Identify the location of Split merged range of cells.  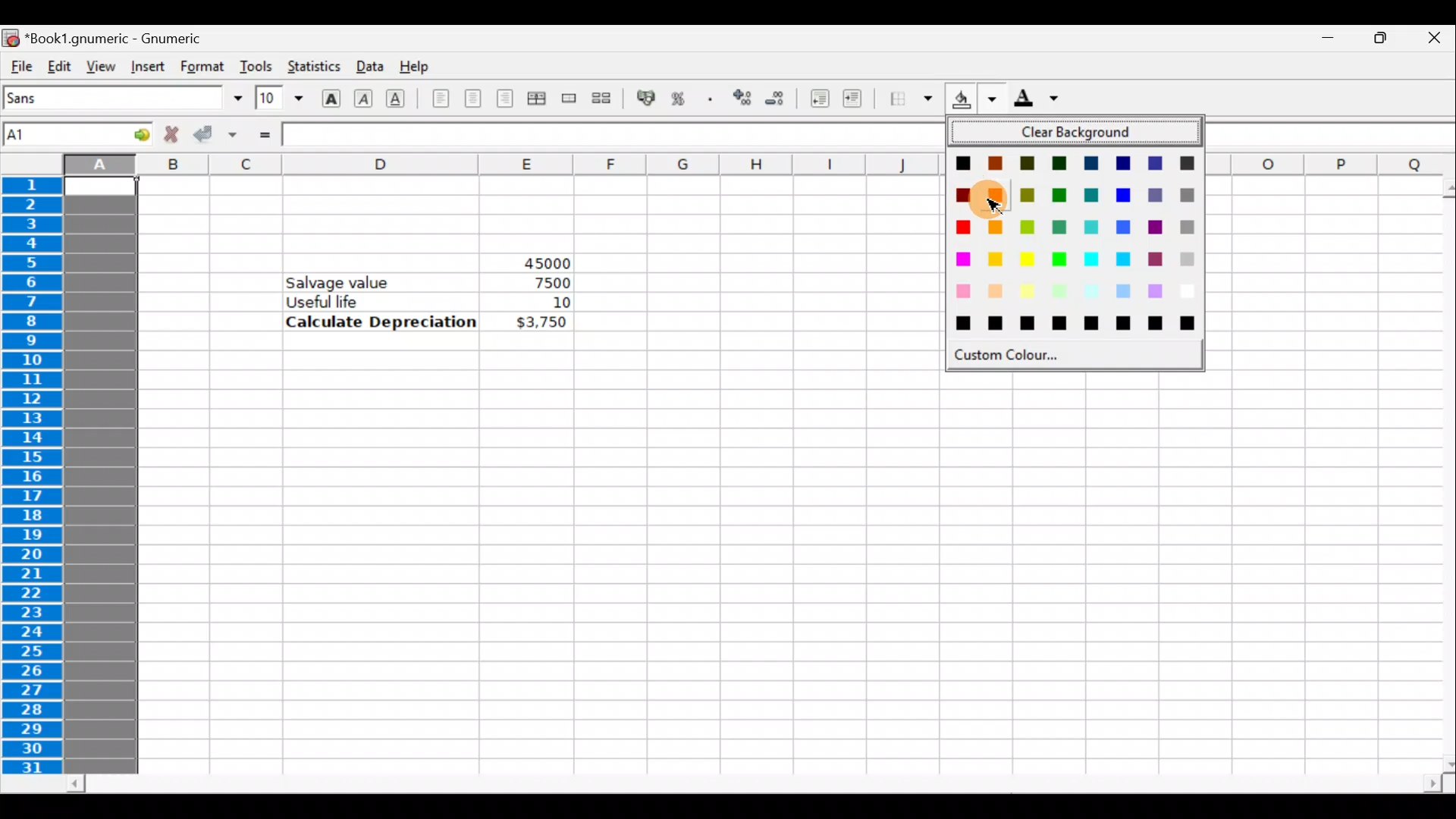
(602, 97).